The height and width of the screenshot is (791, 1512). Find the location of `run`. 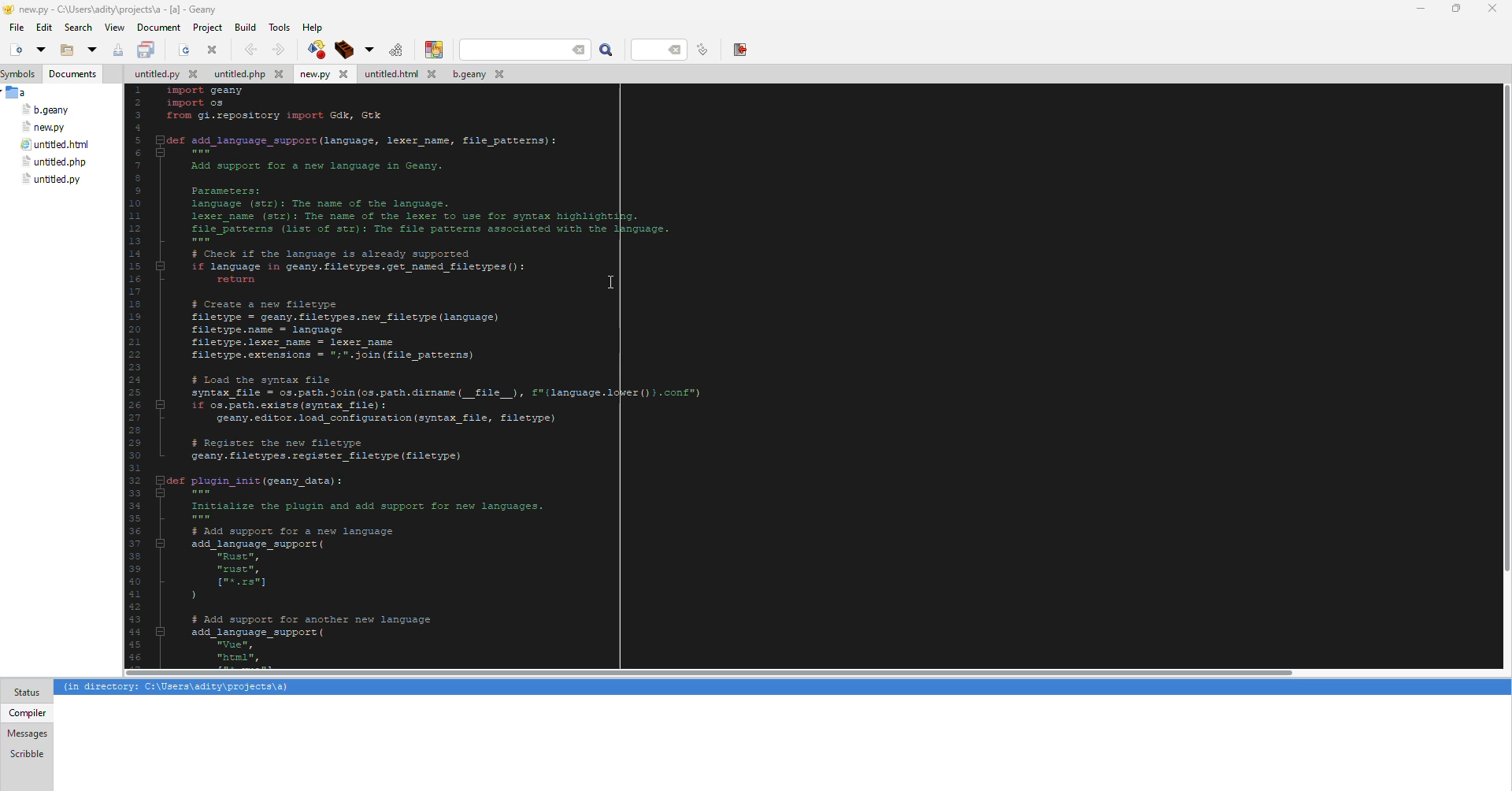

run is located at coordinates (395, 50).